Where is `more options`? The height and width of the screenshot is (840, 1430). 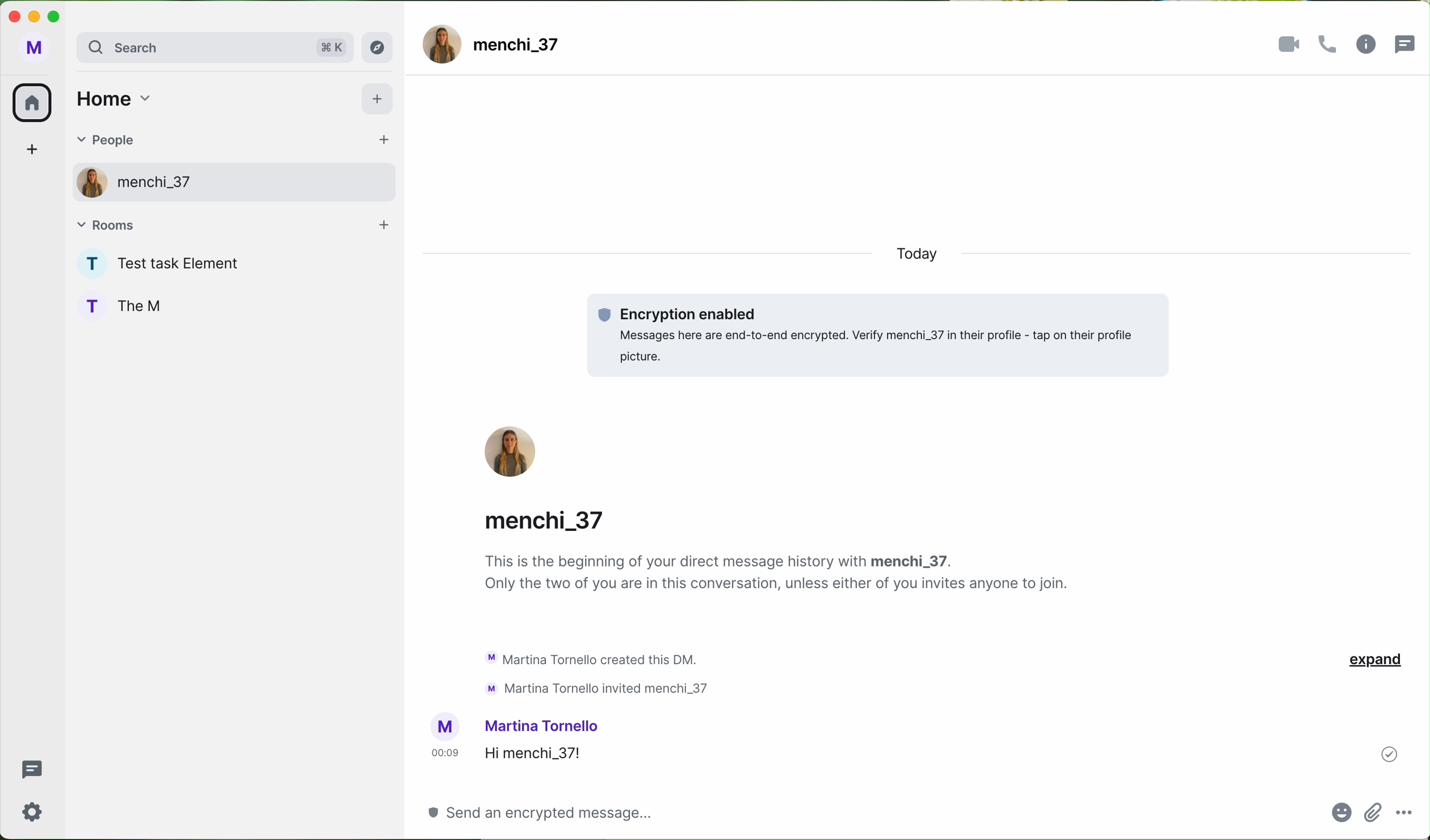
more options is located at coordinates (1406, 810).